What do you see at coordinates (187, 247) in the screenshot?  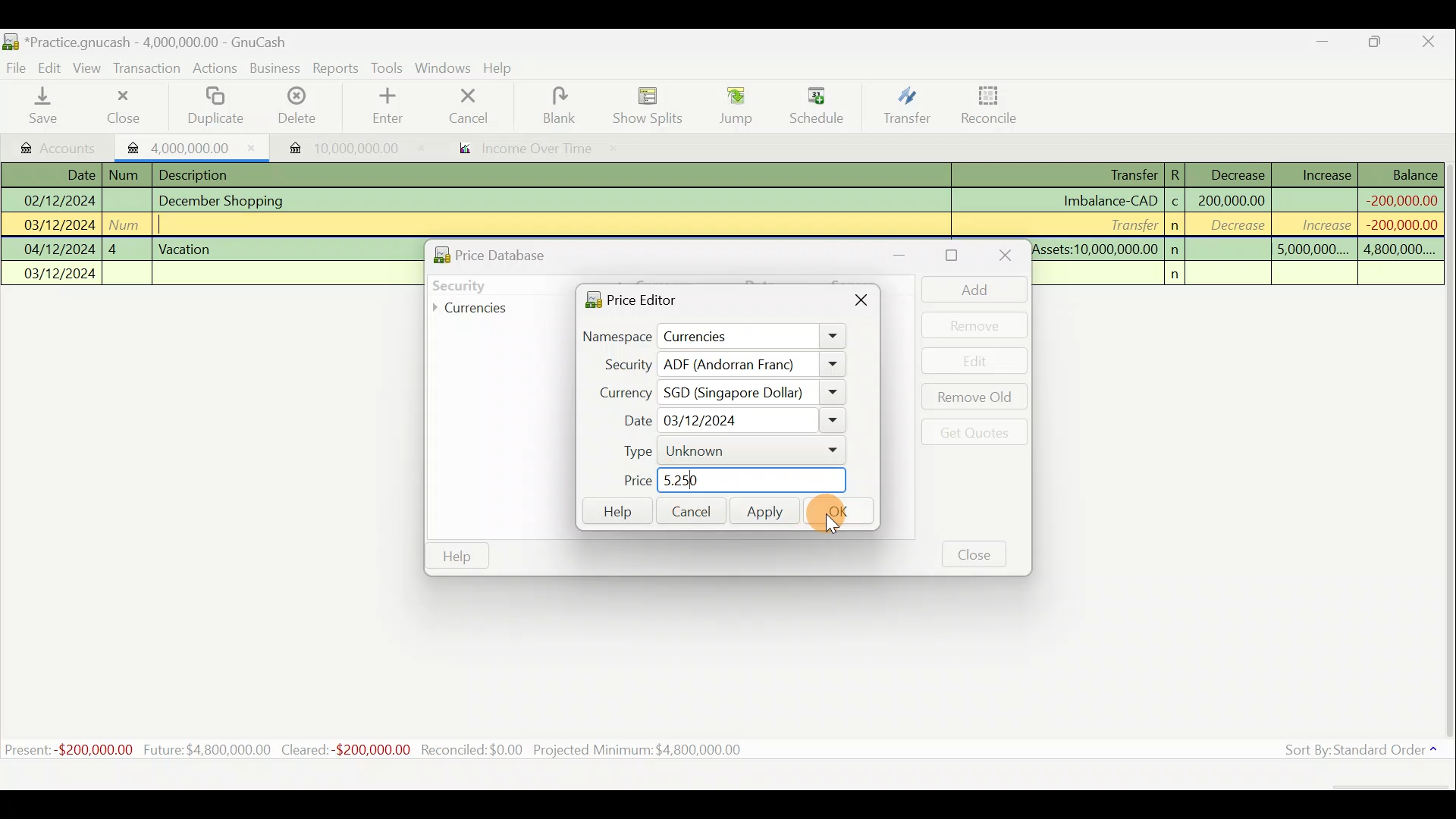 I see `Vacation` at bounding box center [187, 247].